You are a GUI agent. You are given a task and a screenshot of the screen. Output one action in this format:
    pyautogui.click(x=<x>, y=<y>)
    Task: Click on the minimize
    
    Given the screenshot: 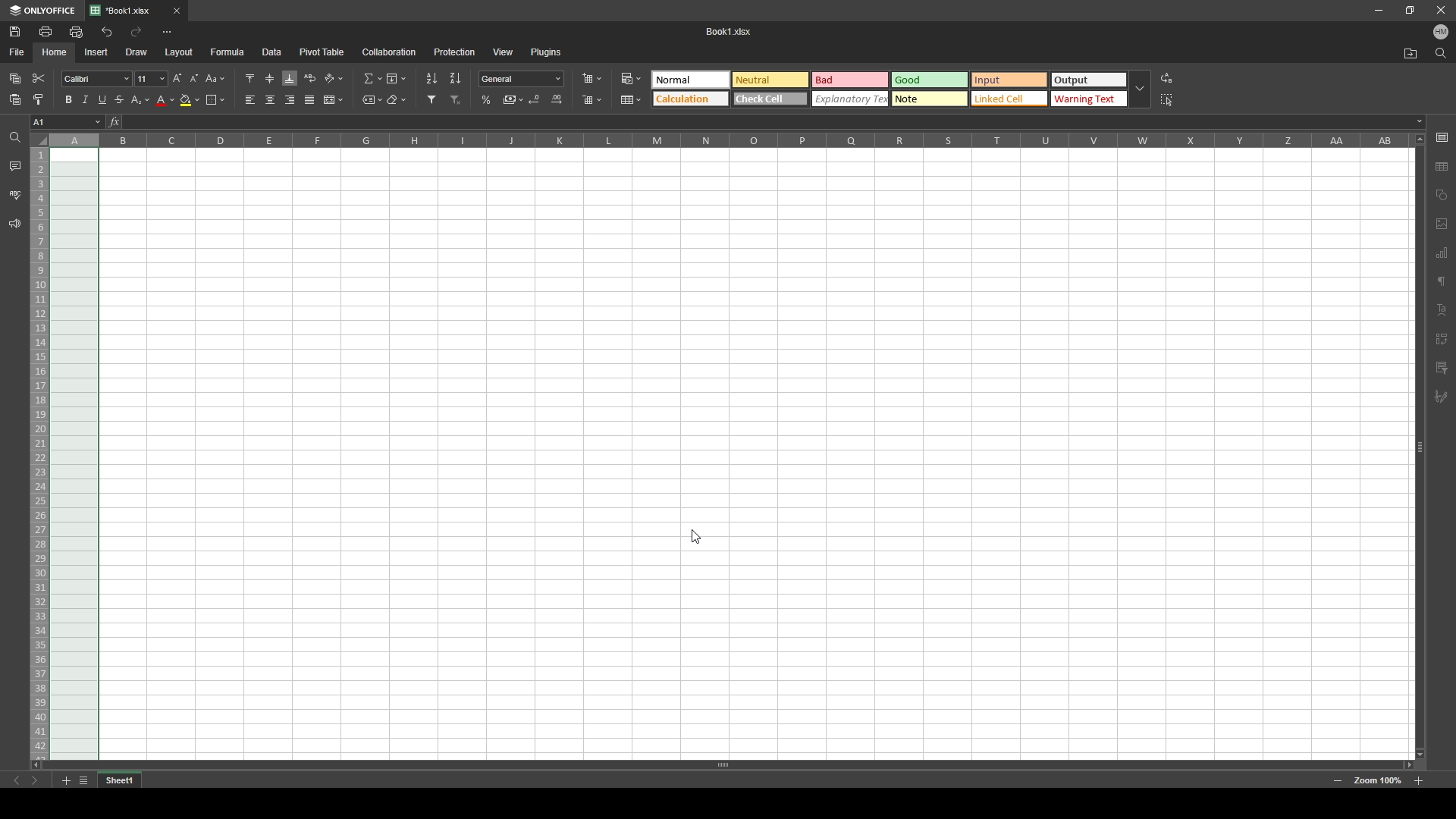 What is the action you would take?
    pyautogui.click(x=1379, y=11)
    